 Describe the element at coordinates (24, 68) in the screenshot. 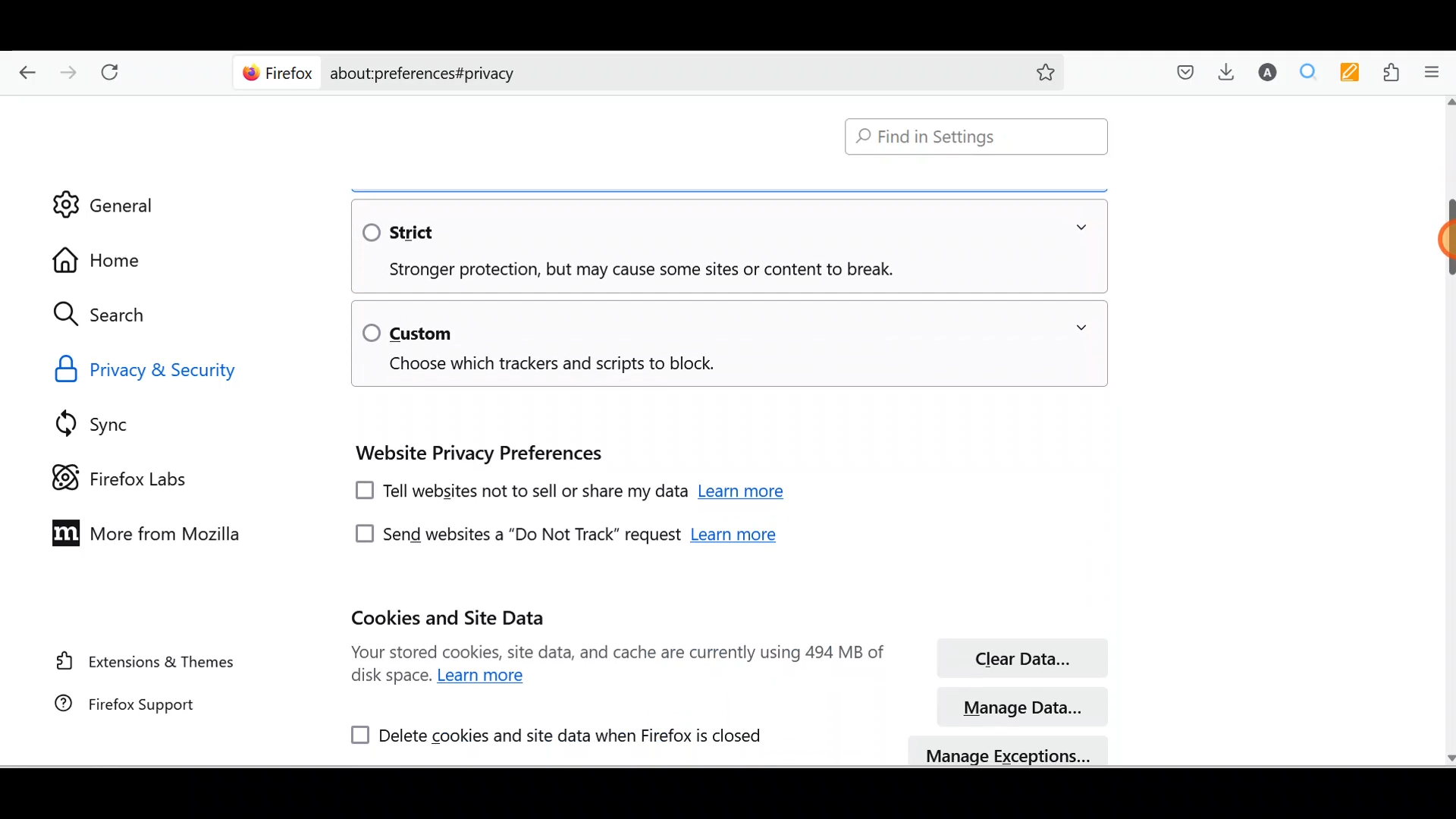

I see `Go back one page` at that location.